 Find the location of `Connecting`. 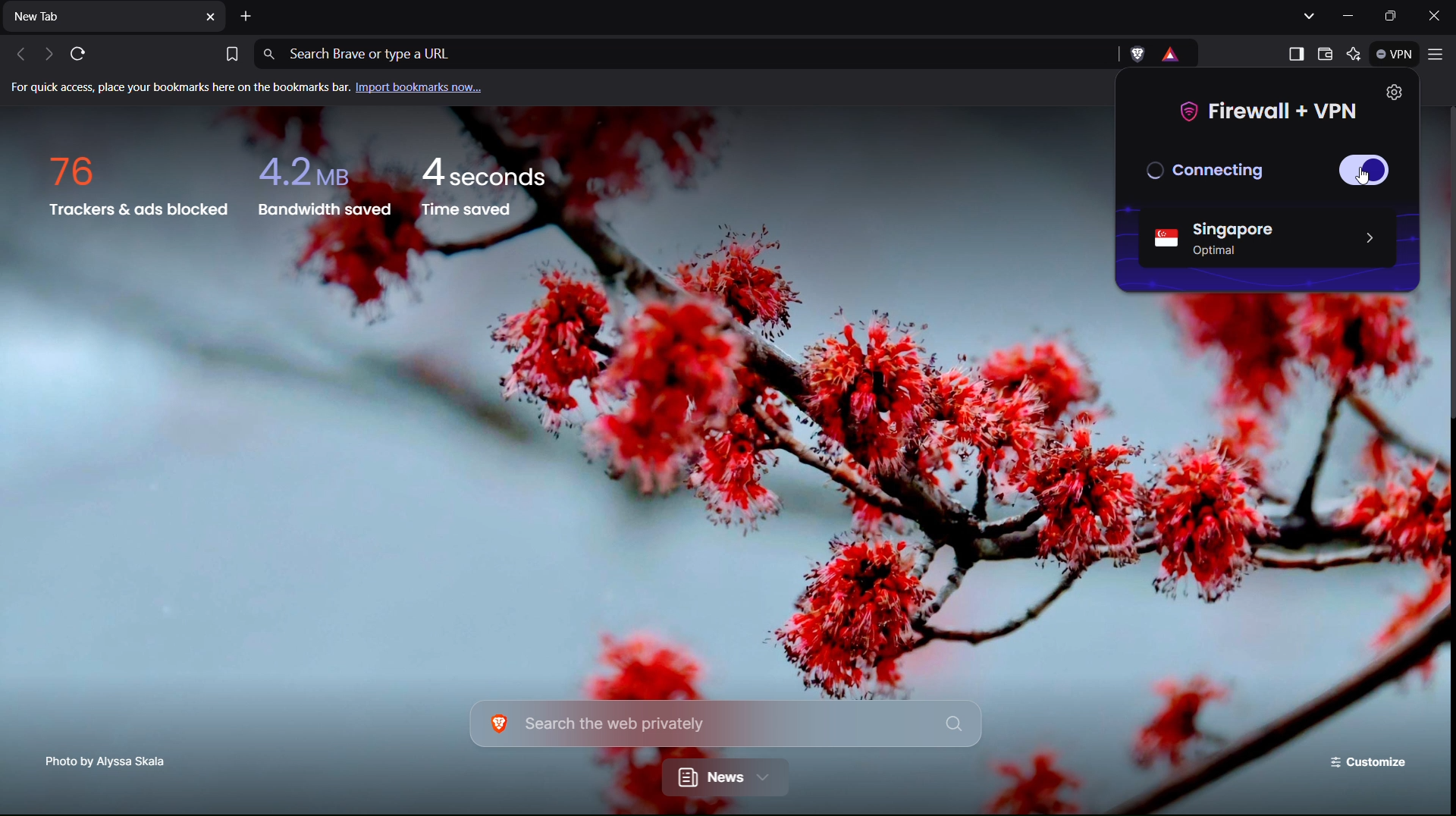

Connecting is located at coordinates (1219, 174).